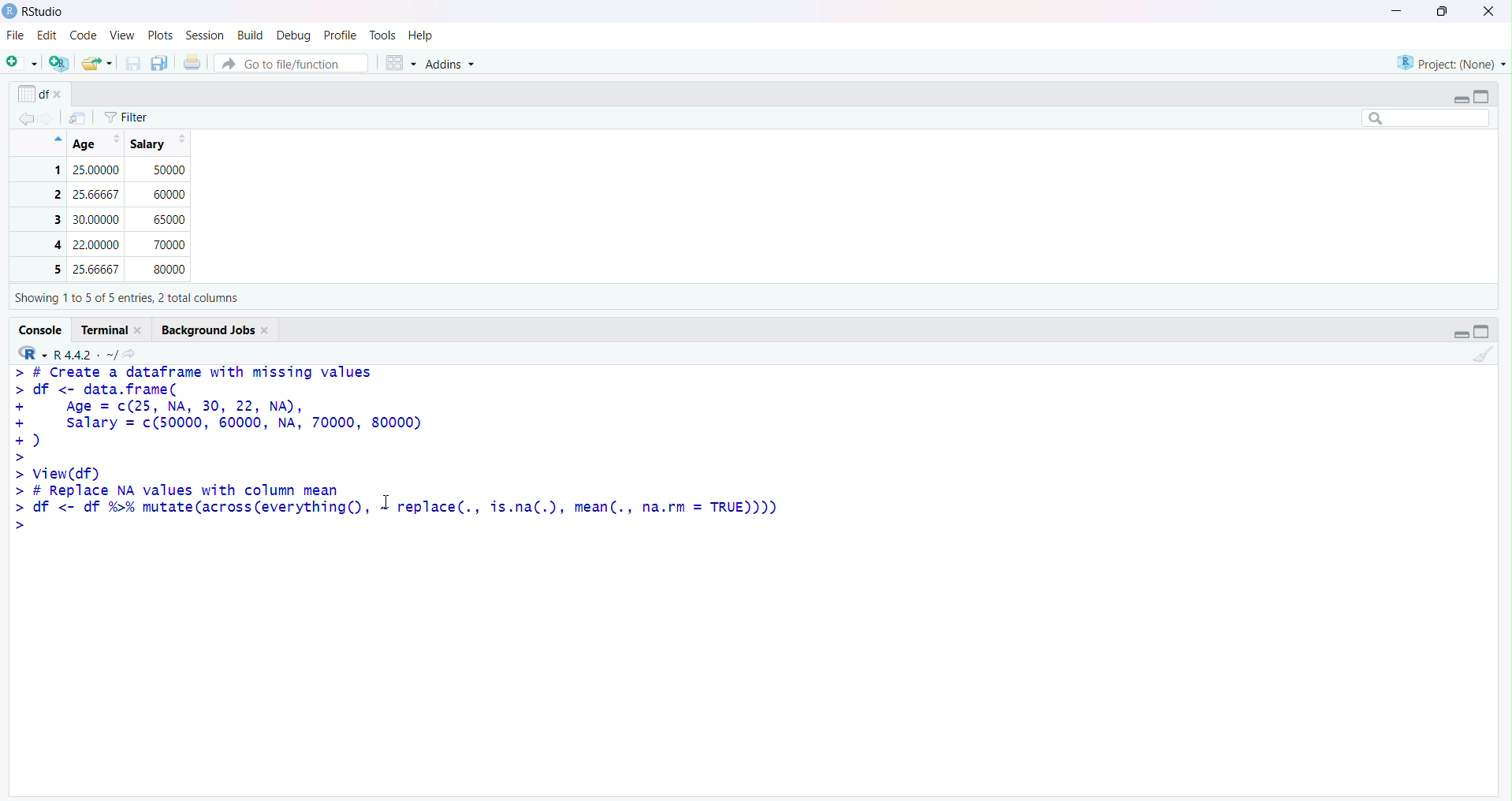  Describe the element at coordinates (42, 12) in the screenshot. I see `RStudio` at that location.